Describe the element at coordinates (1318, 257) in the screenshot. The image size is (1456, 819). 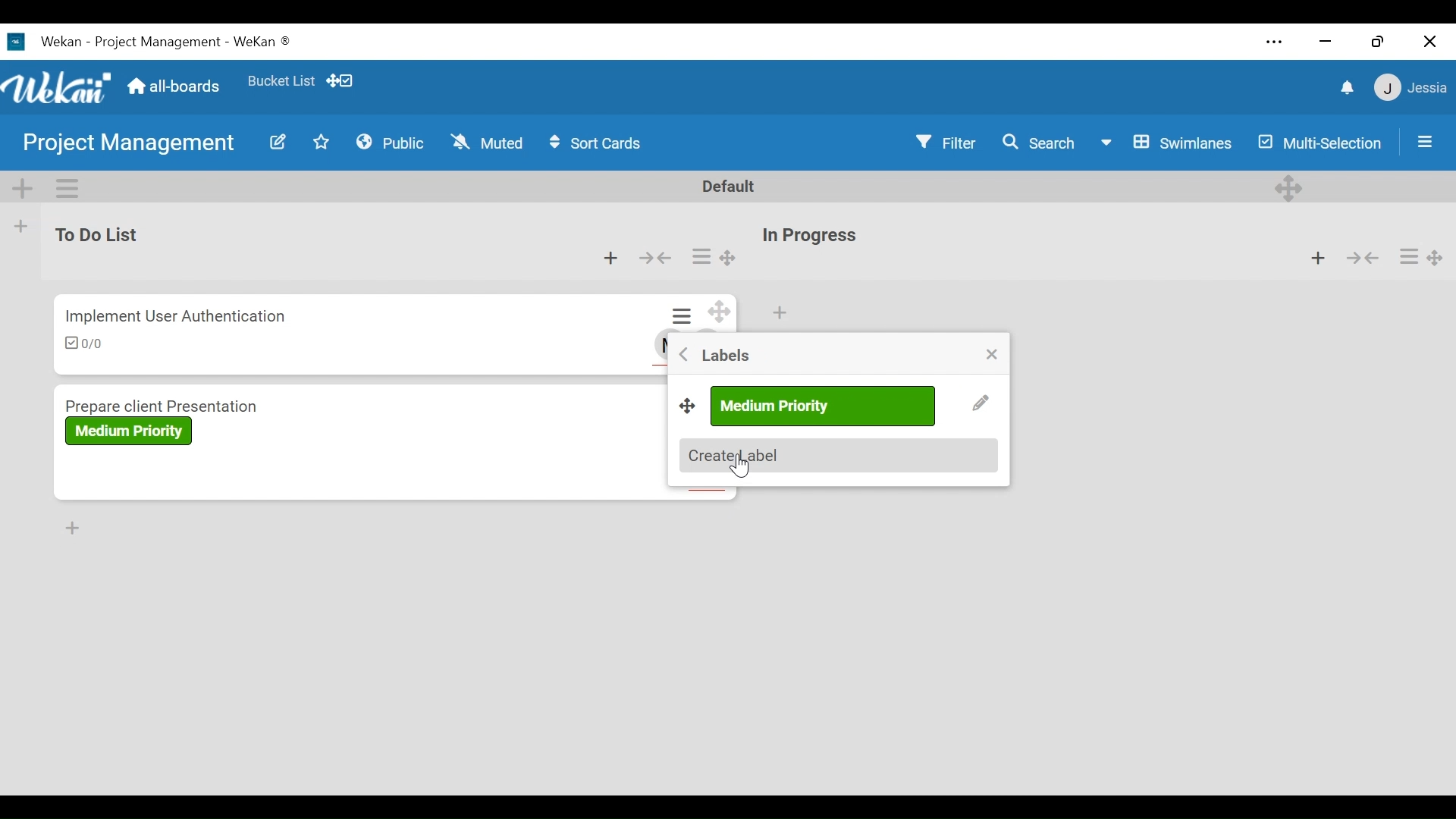
I see `Add card to top of the list` at that location.